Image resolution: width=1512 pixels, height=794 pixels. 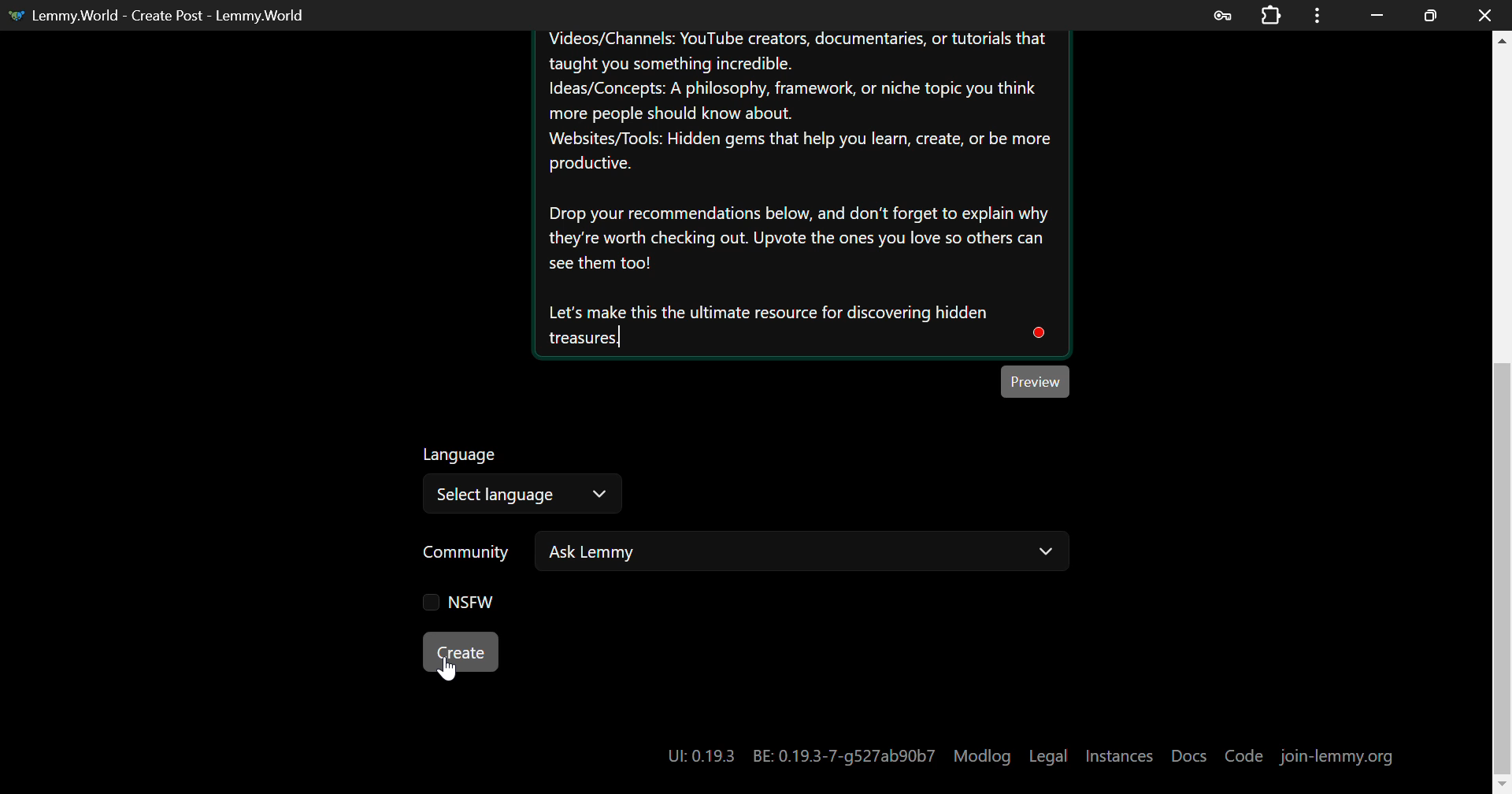 What do you see at coordinates (461, 651) in the screenshot?
I see `Create` at bounding box center [461, 651].